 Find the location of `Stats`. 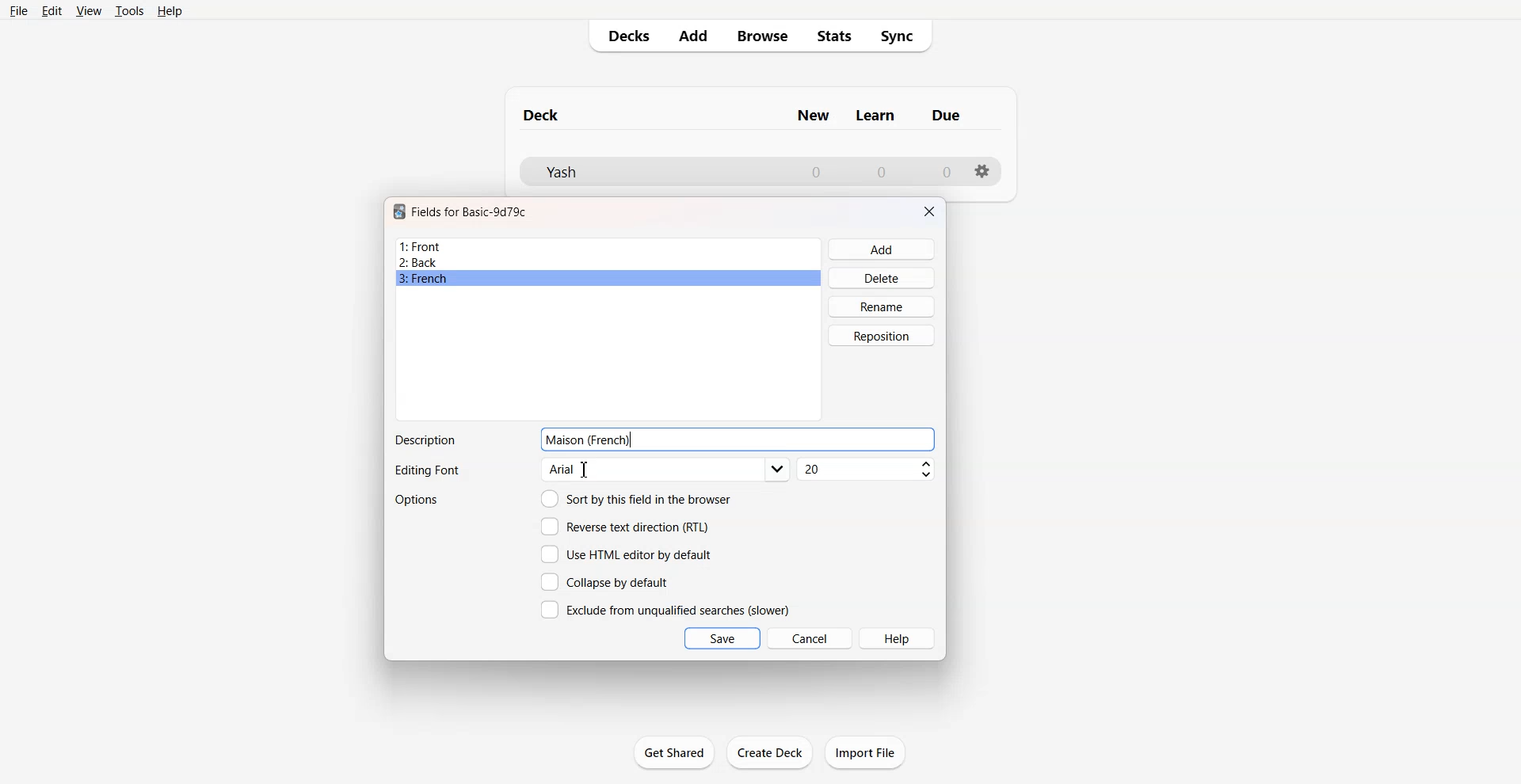

Stats is located at coordinates (835, 36).